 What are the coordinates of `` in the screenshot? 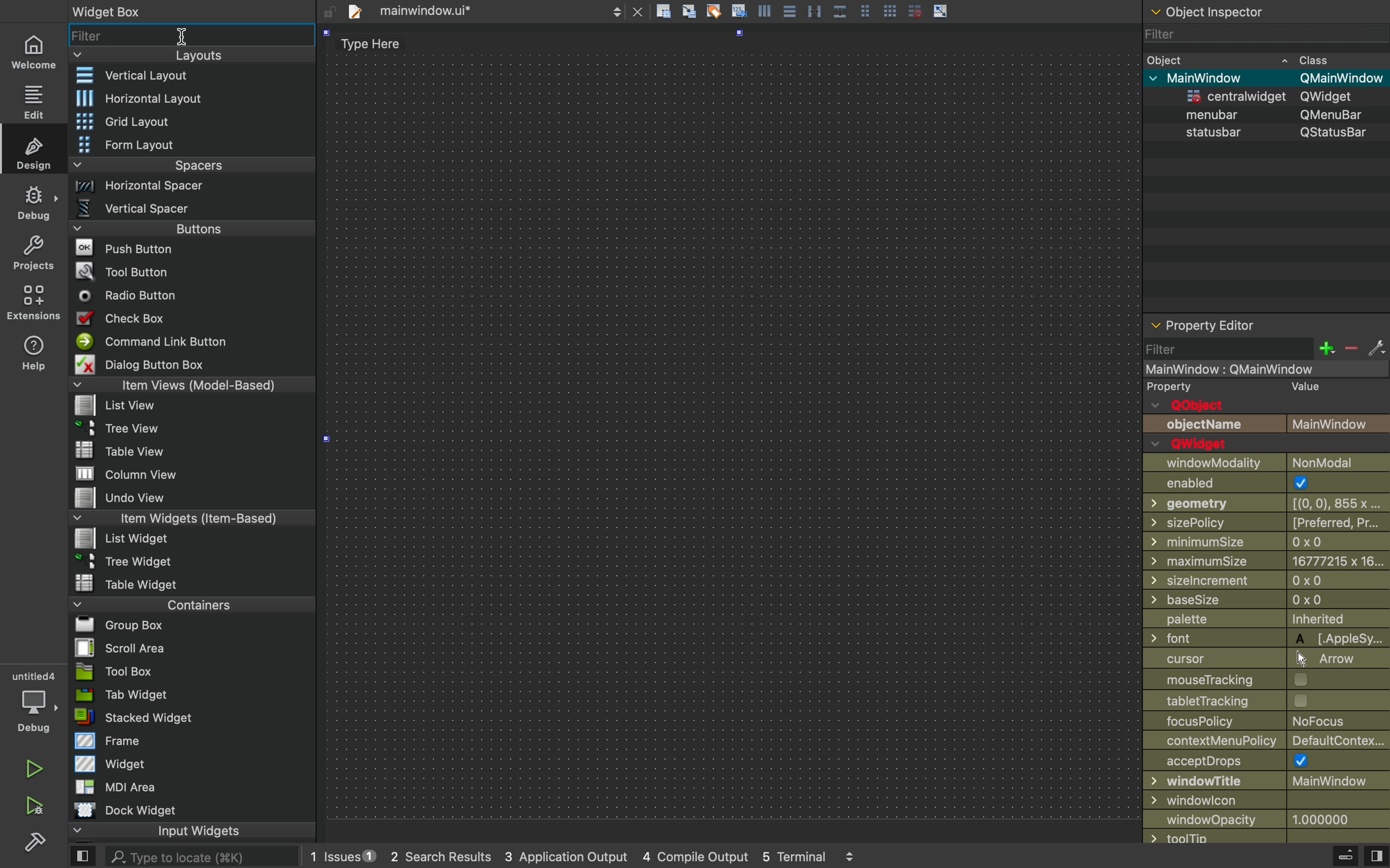 It's located at (1267, 640).